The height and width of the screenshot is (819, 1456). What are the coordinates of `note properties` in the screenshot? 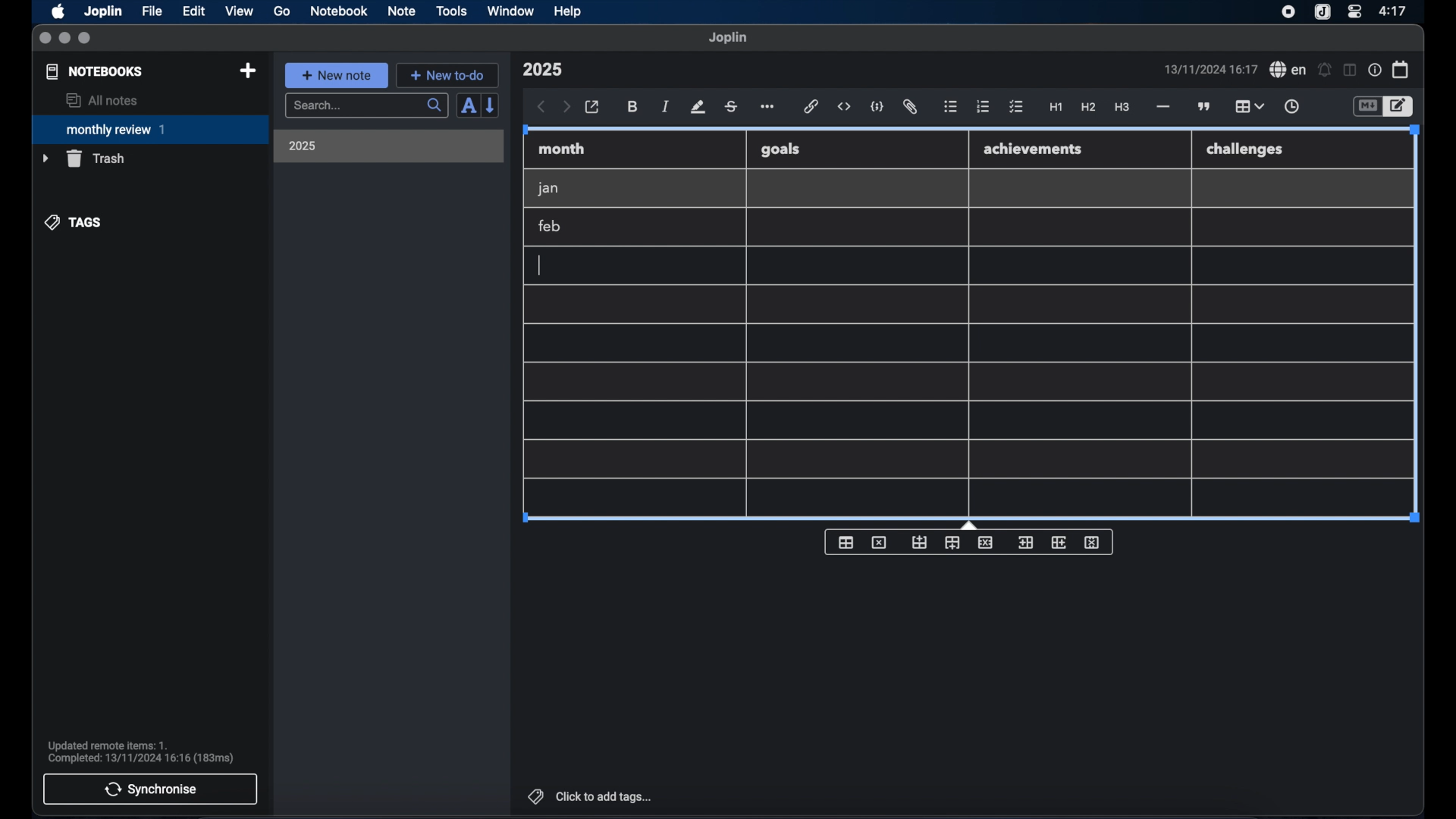 It's located at (1375, 71).